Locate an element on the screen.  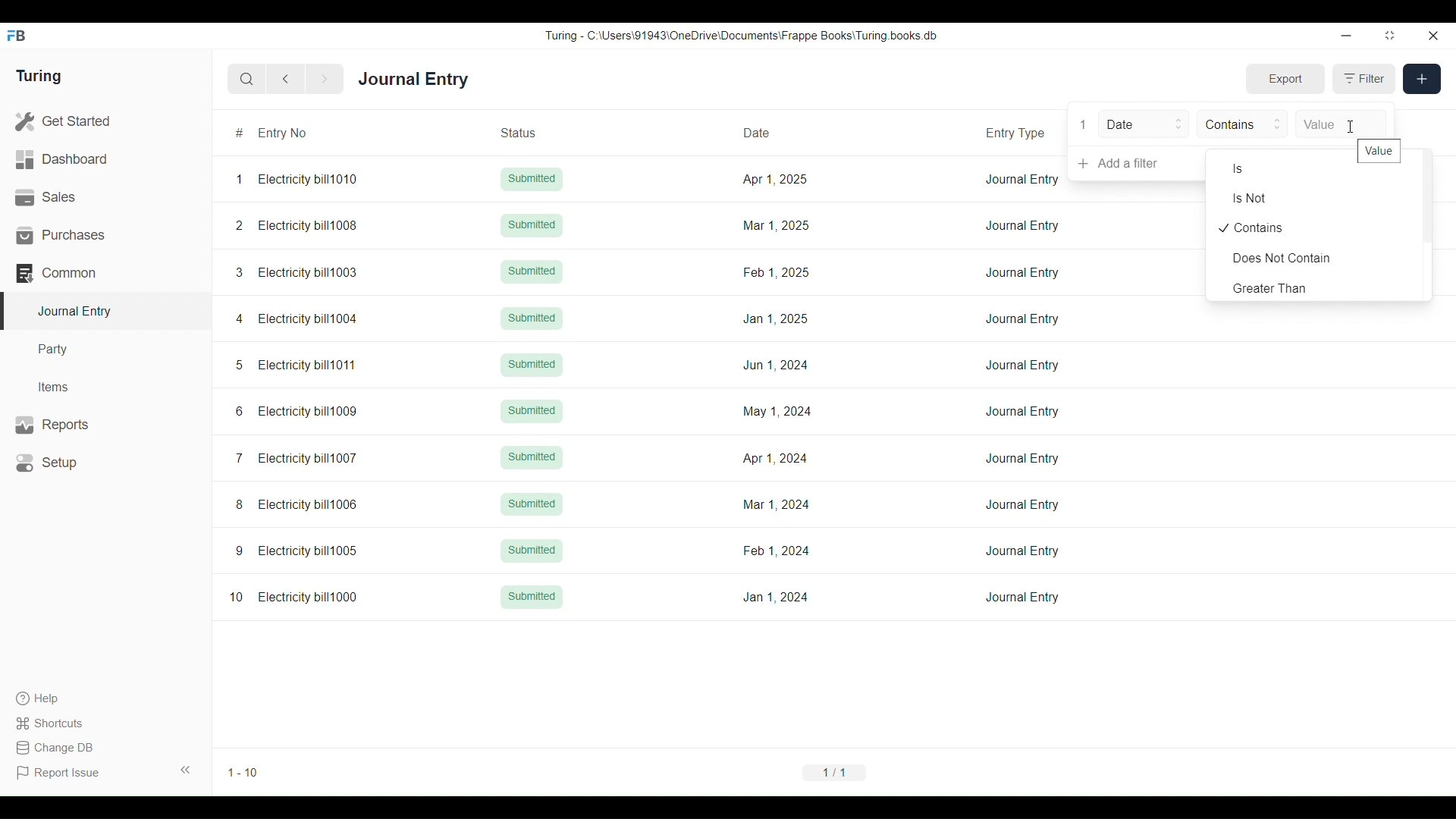
Mar 1, 2025 is located at coordinates (774, 225).